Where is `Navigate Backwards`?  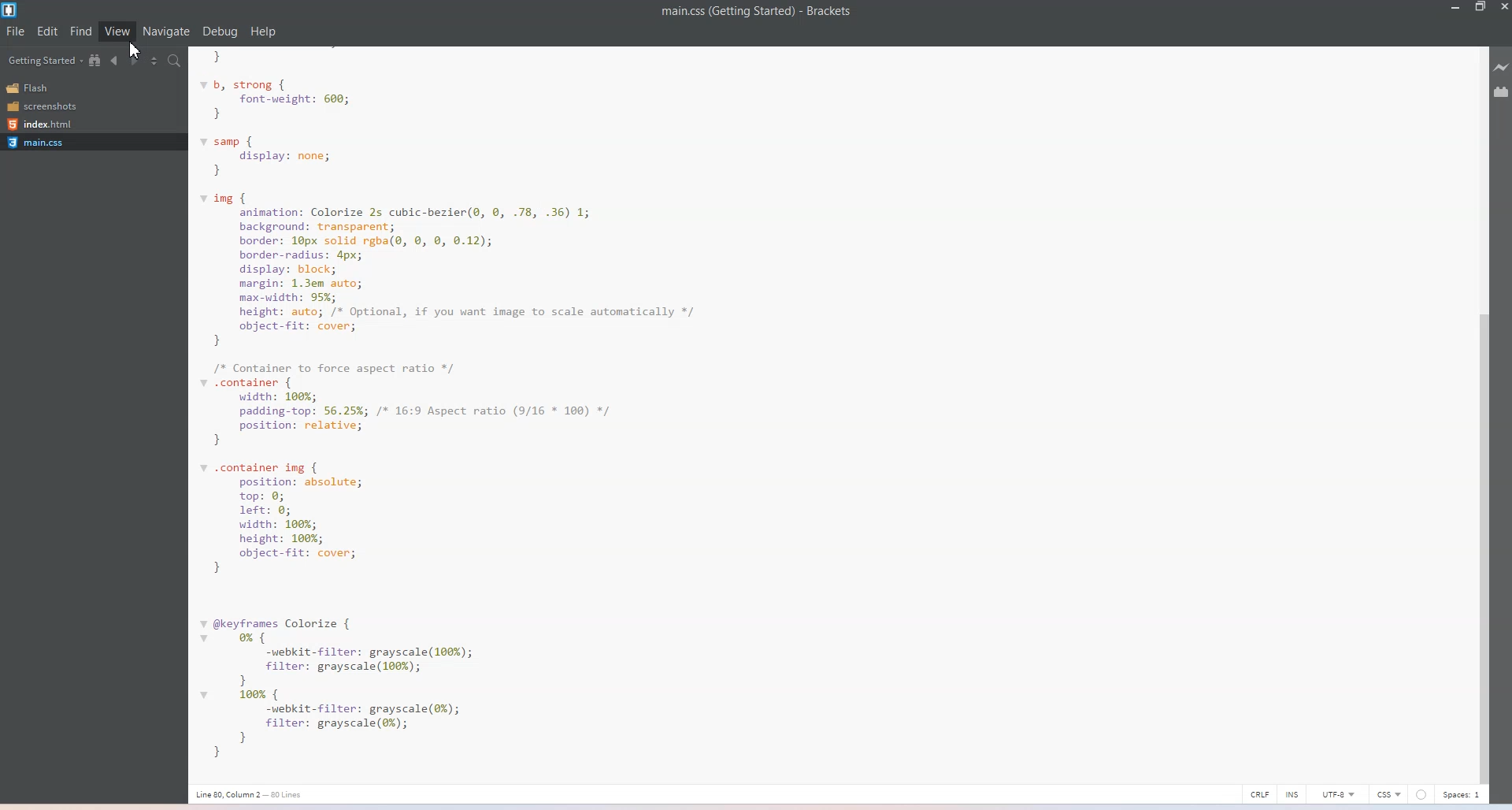 Navigate Backwards is located at coordinates (117, 61).